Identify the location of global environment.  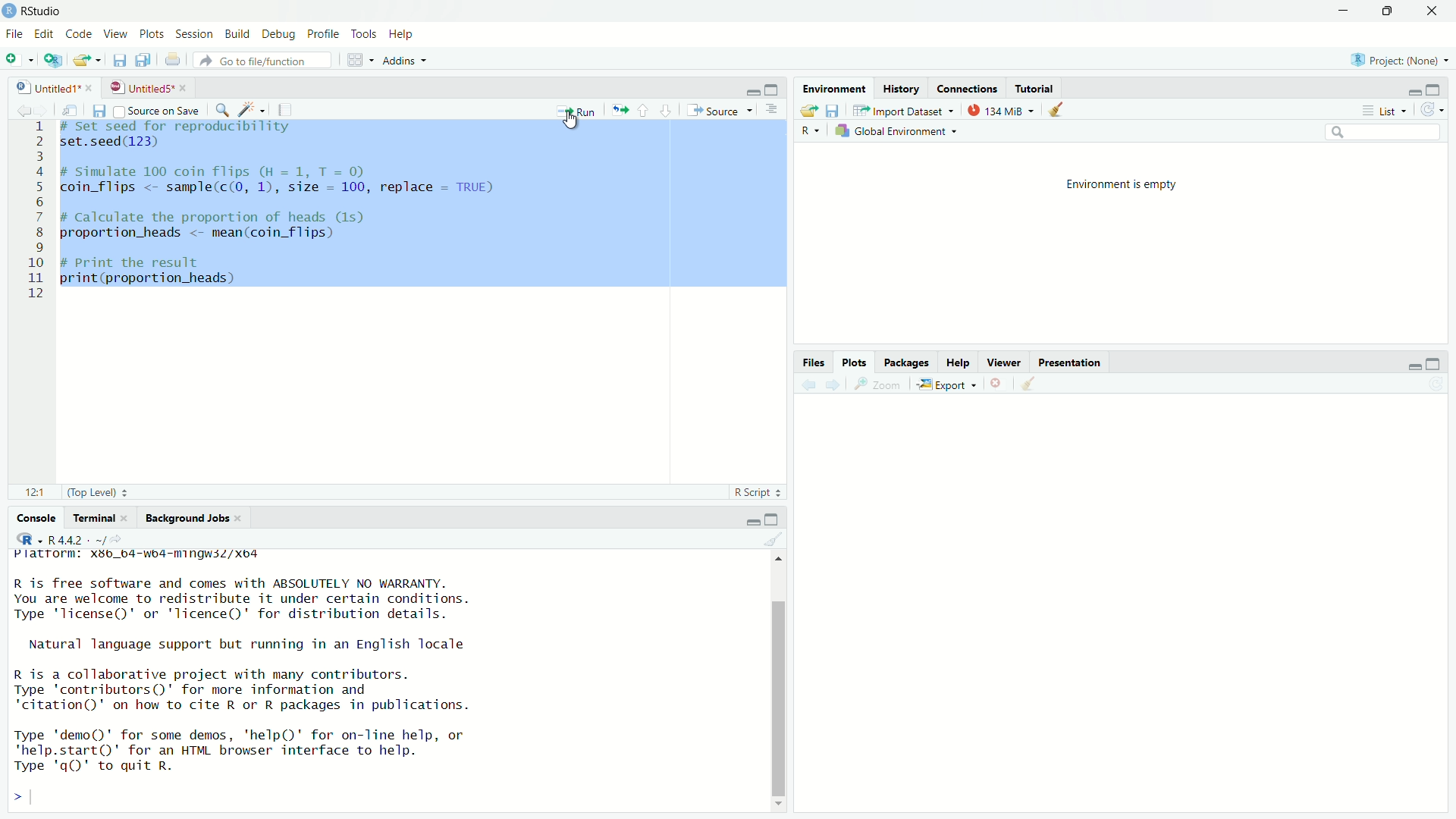
(896, 130).